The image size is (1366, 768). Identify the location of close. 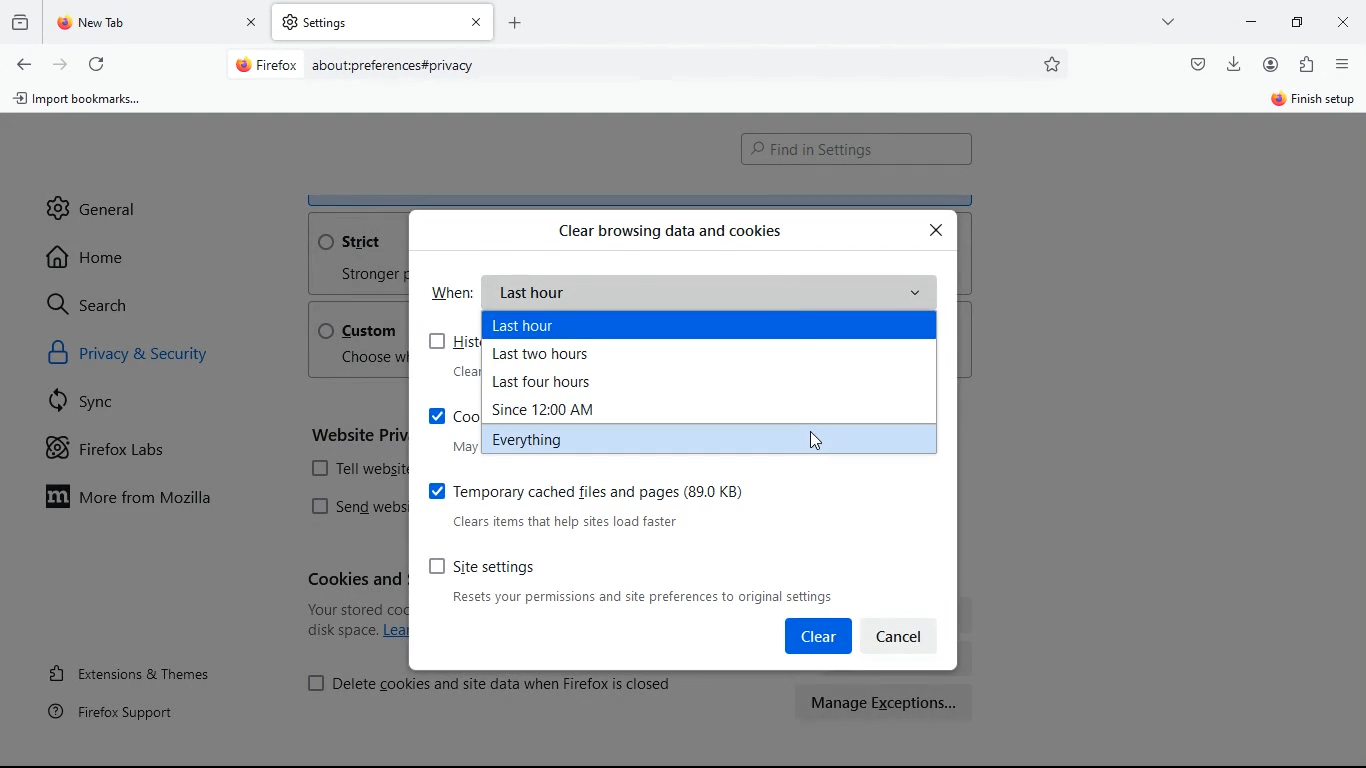
(1346, 24).